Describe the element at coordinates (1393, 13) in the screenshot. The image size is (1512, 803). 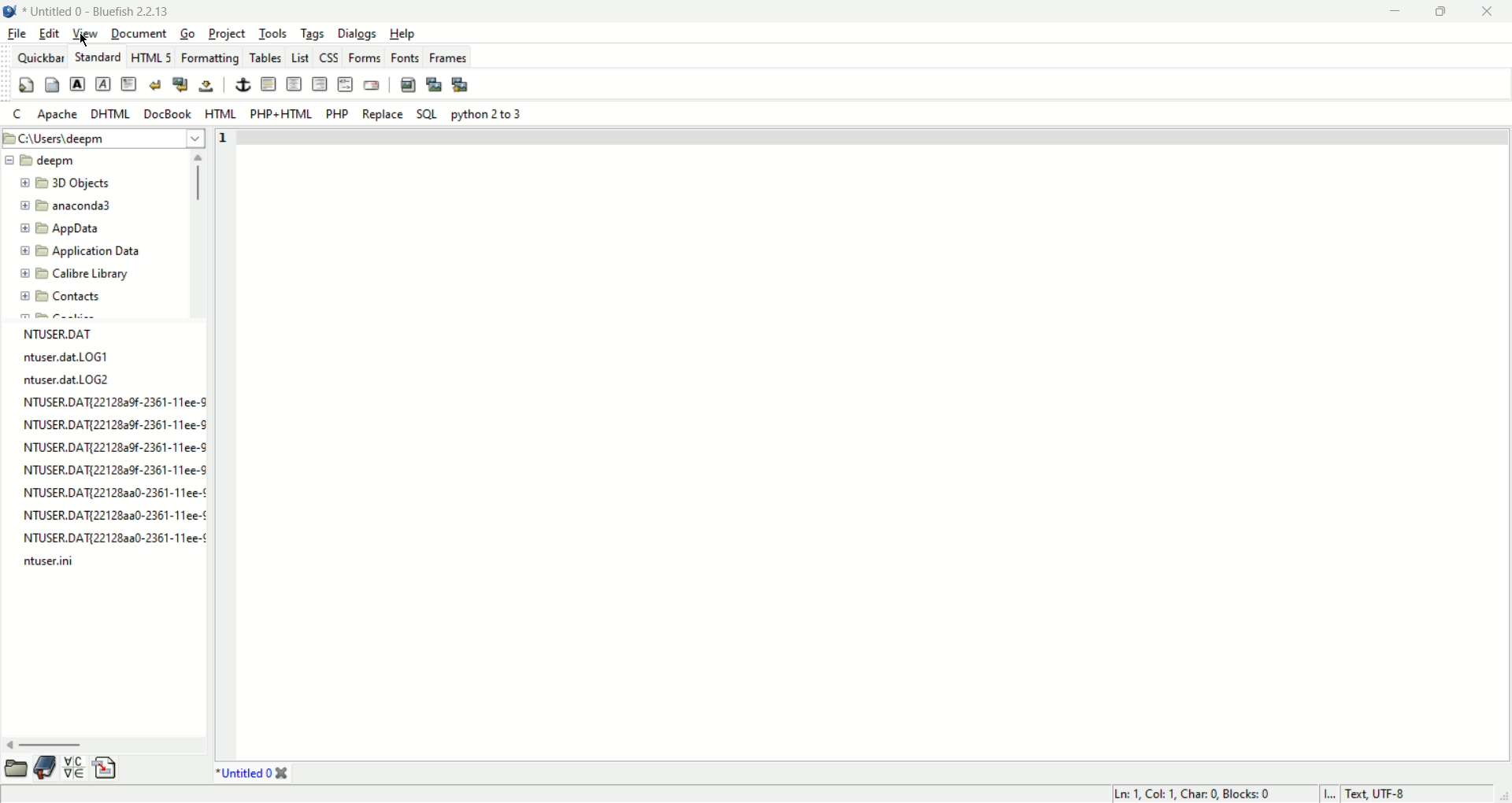
I see `minimize` at that location.